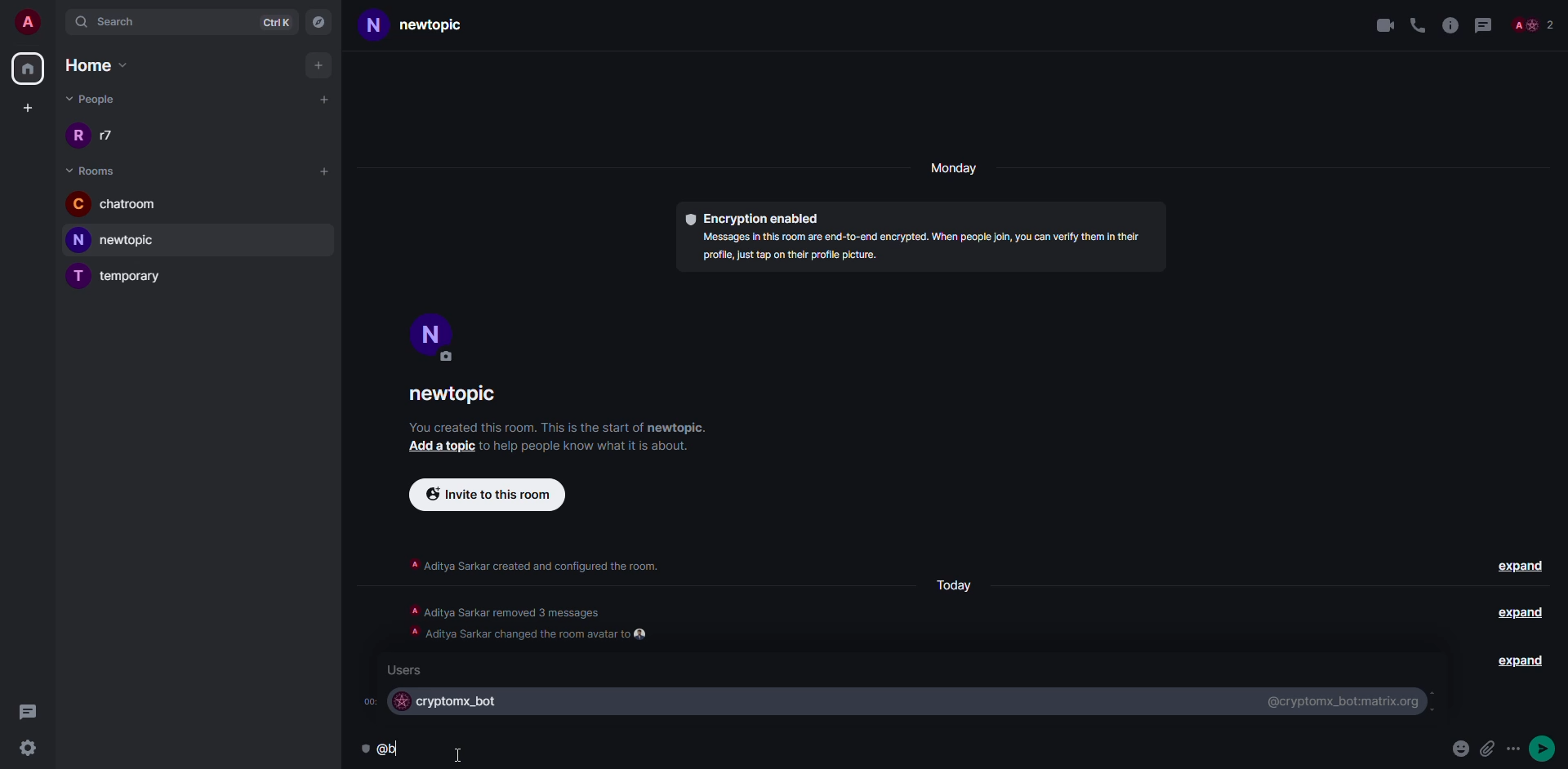 This screenshot has height=769, width=1568. I want to click on video call, so click(1383, 24).